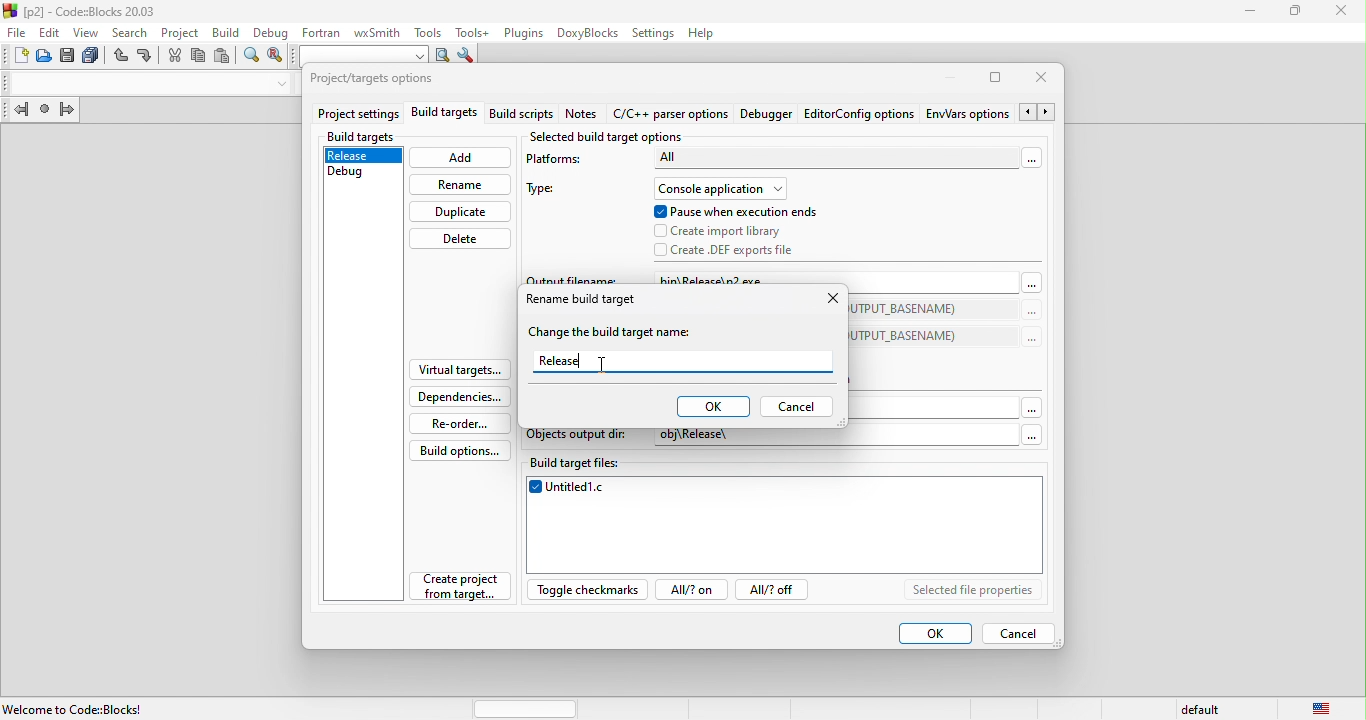 This screenshot has width=1366, height=720. Describe the element at coordinates (581, 301) in the screenshot. I see `Rename Build target` at that location.